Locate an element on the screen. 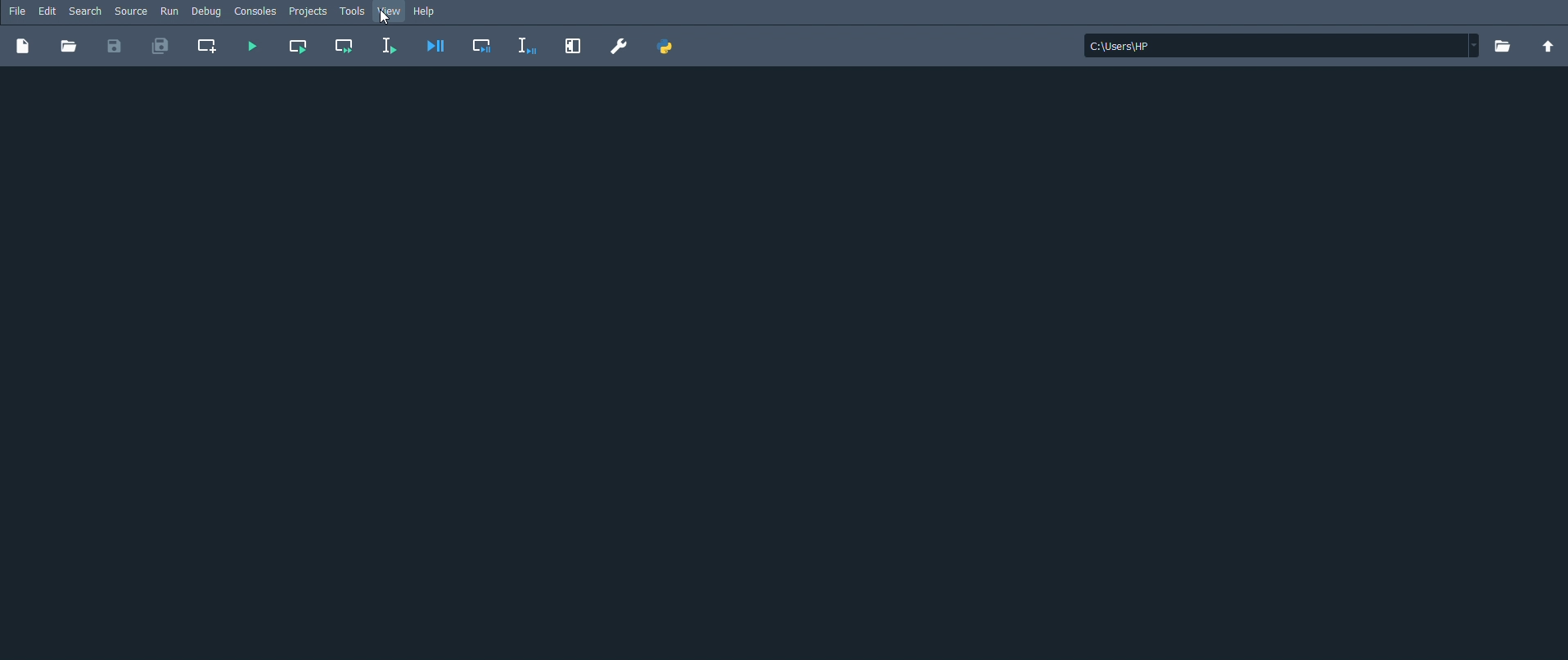 This screenshot has height=660, width=1568. Search is located at coordinates (86, 11).